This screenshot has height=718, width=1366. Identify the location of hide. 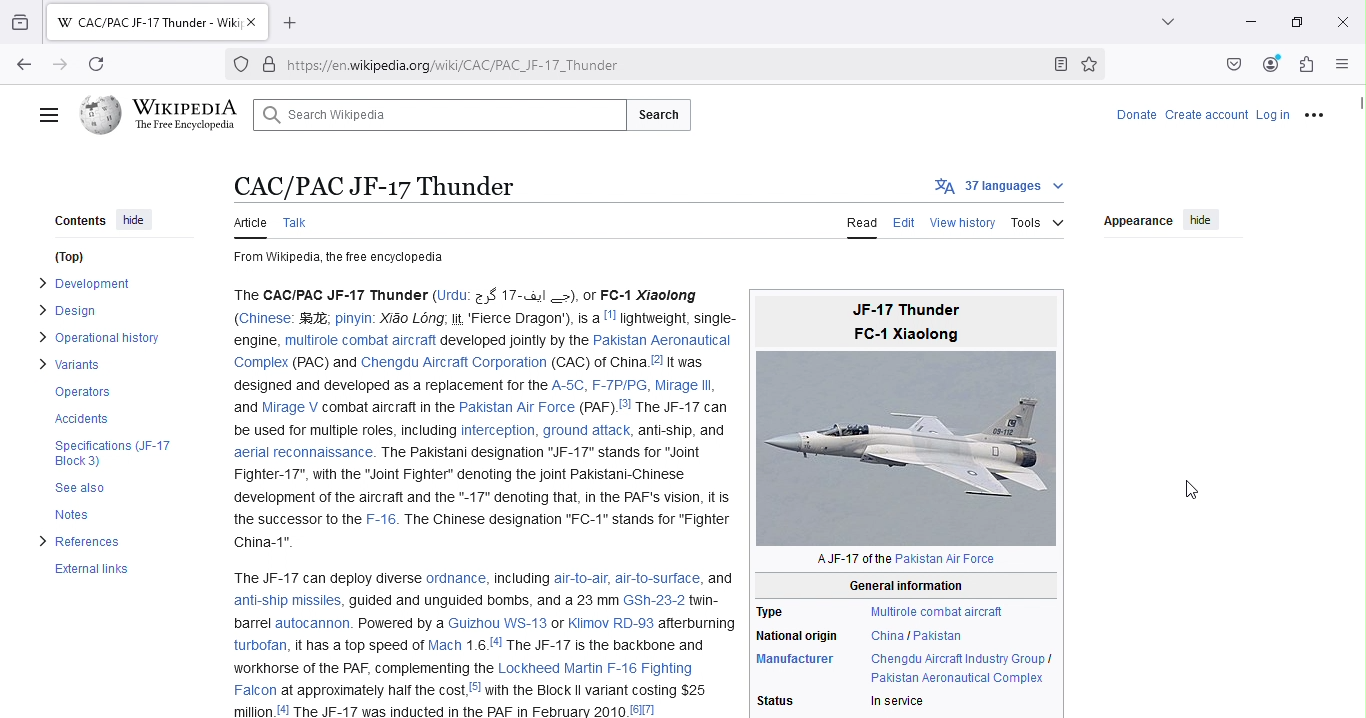
(131, 221).